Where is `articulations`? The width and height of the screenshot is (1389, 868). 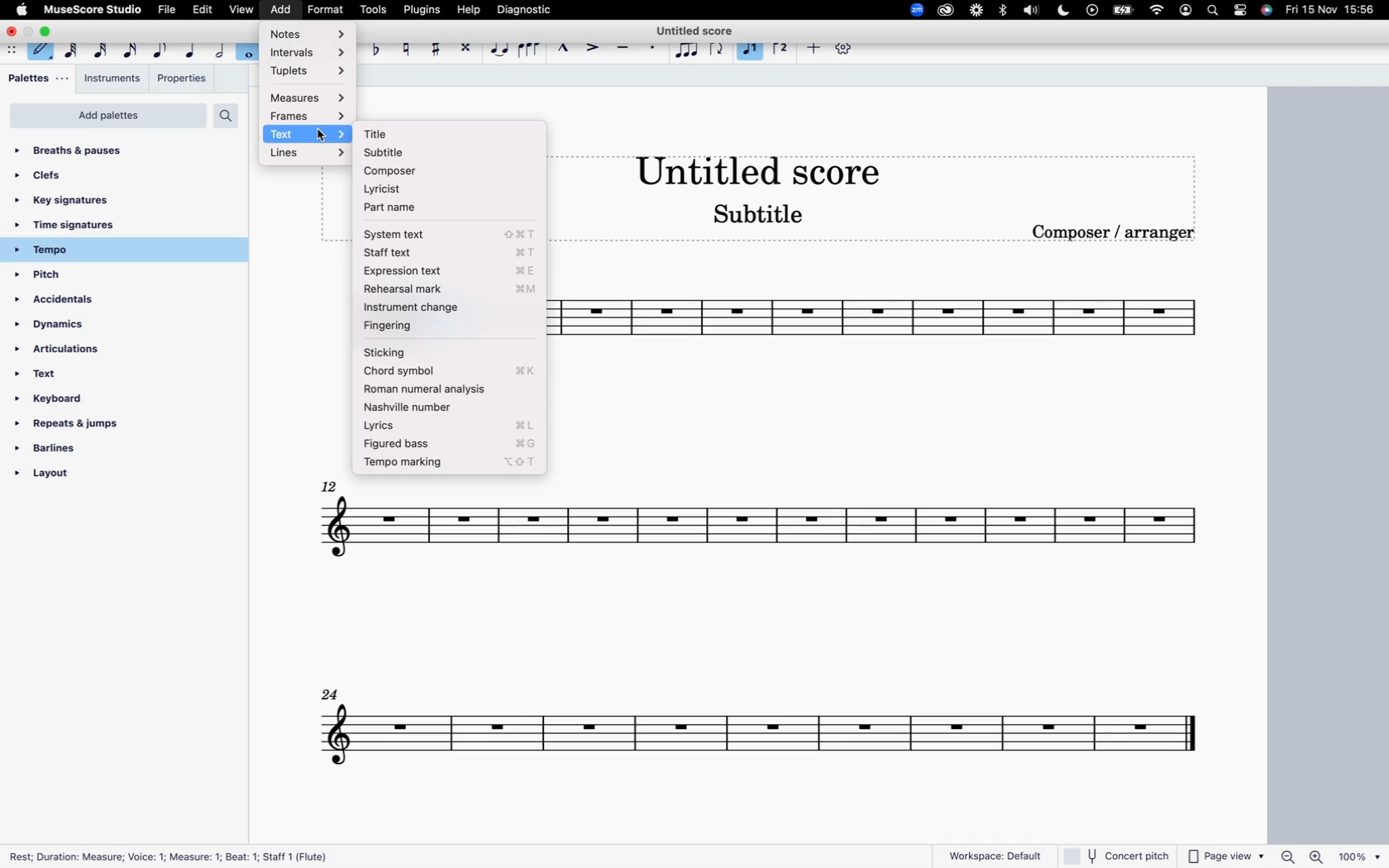 articulations is located at coordinates (81, 352).